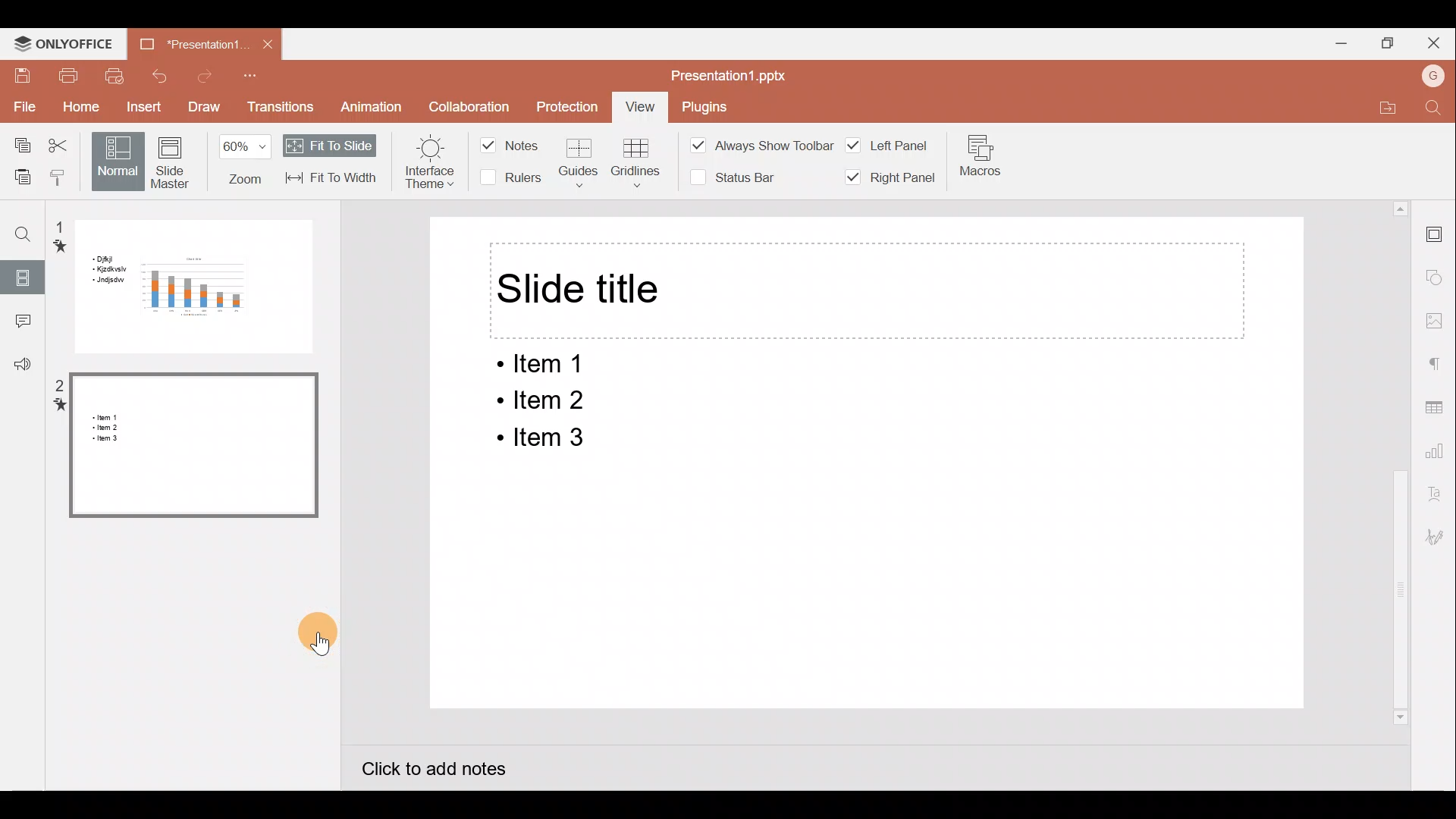 The width and height of the screenshot is (1456, 819). Describe the element at coordinates (381, 104) in the screenshot. I see `Animation` at that location.